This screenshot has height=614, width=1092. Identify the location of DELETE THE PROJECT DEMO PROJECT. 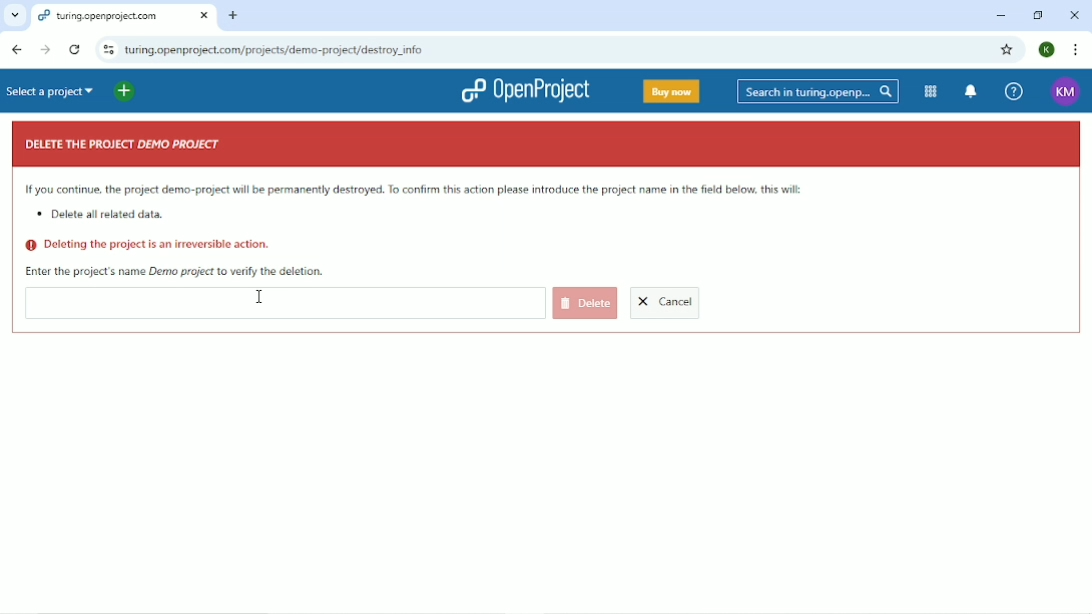
(125, 145).